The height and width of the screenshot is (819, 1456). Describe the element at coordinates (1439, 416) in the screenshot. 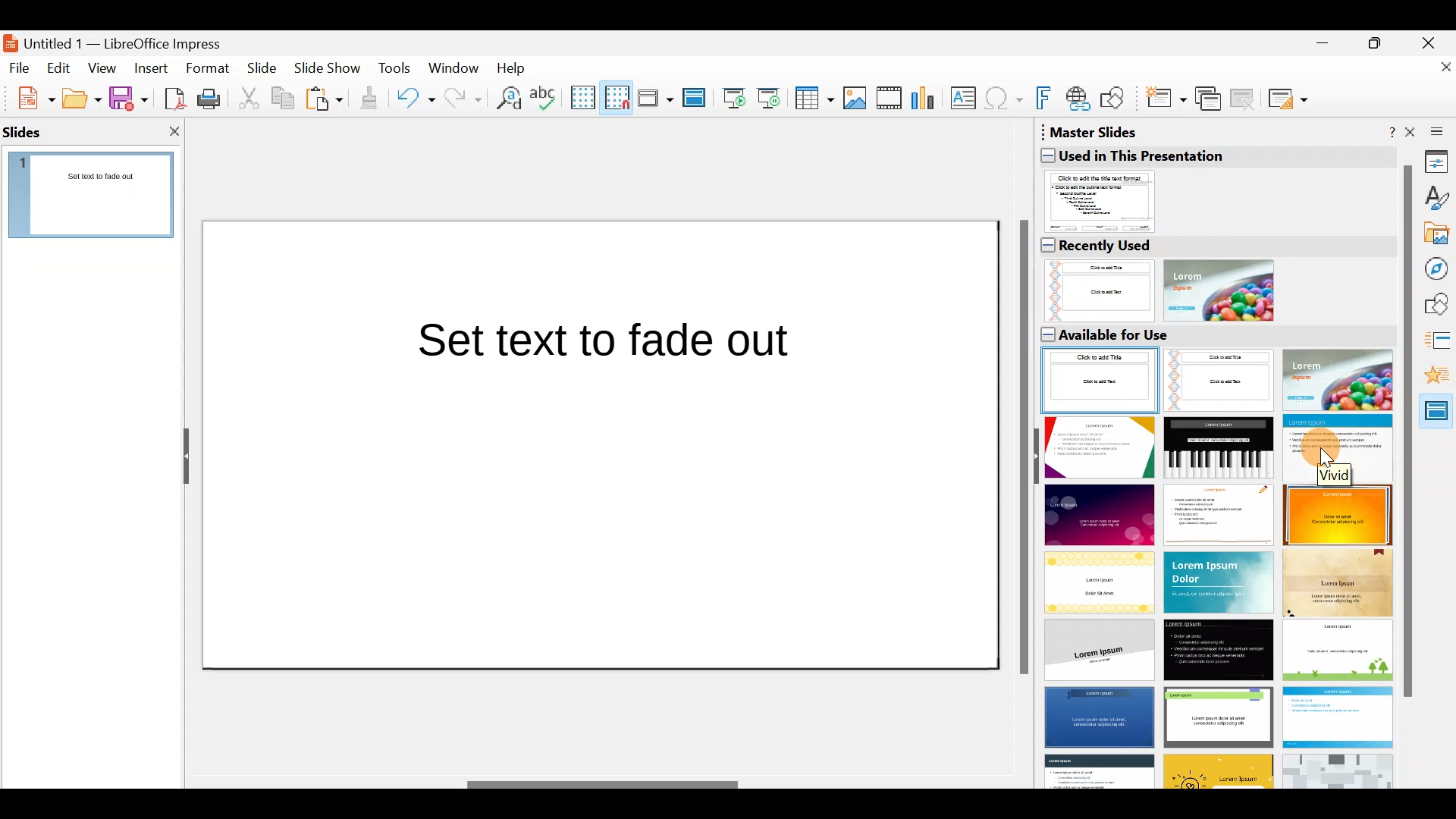

I see `Master slides` at that location.